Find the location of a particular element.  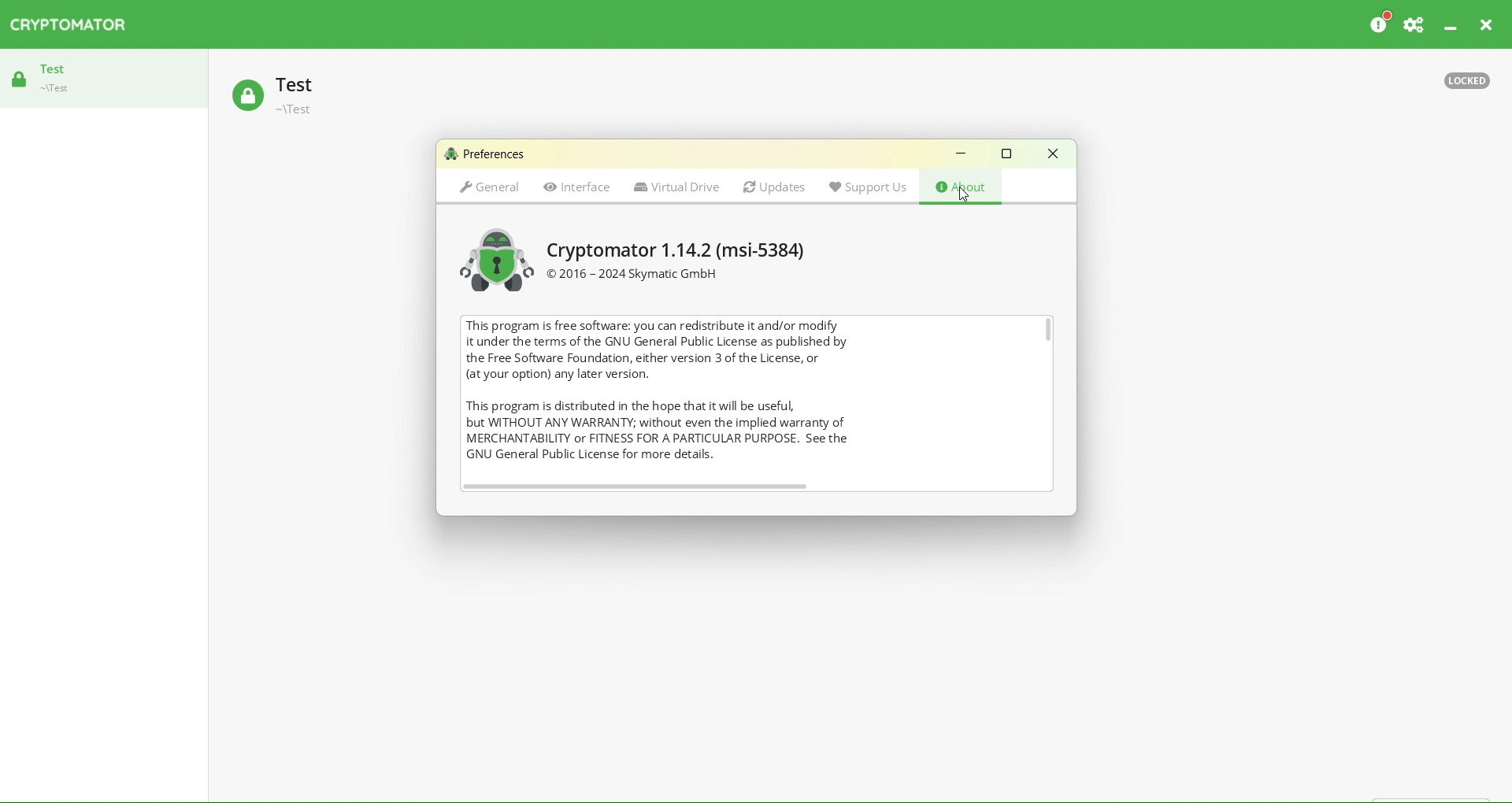

Locked is located at coordinates (1467, 78).